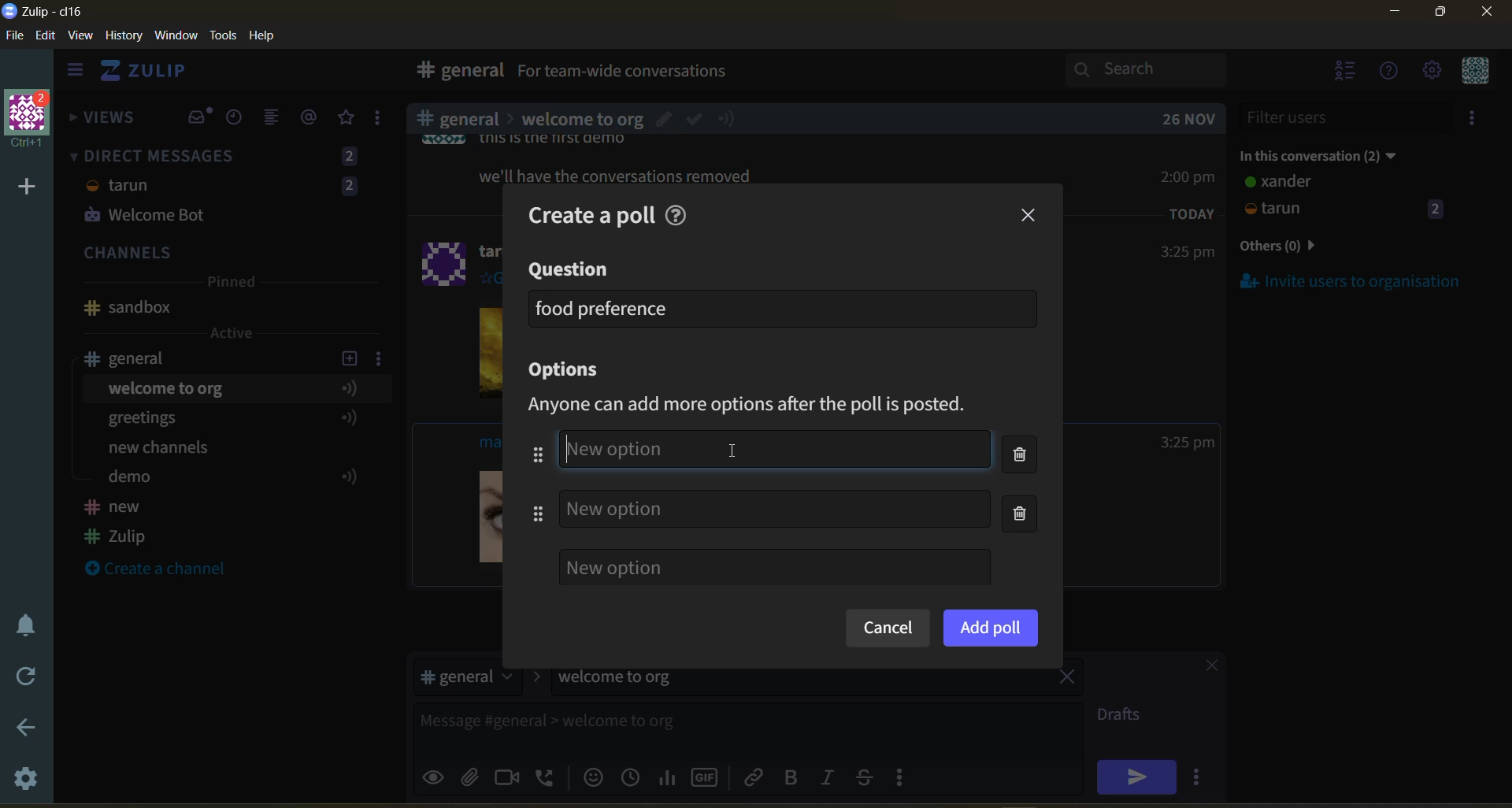 The height and width of the screenshot is (808, 1512). What do you see at coordinates (81, 36) in the screenshot?
I see `view` at bounding box center [81, 36].